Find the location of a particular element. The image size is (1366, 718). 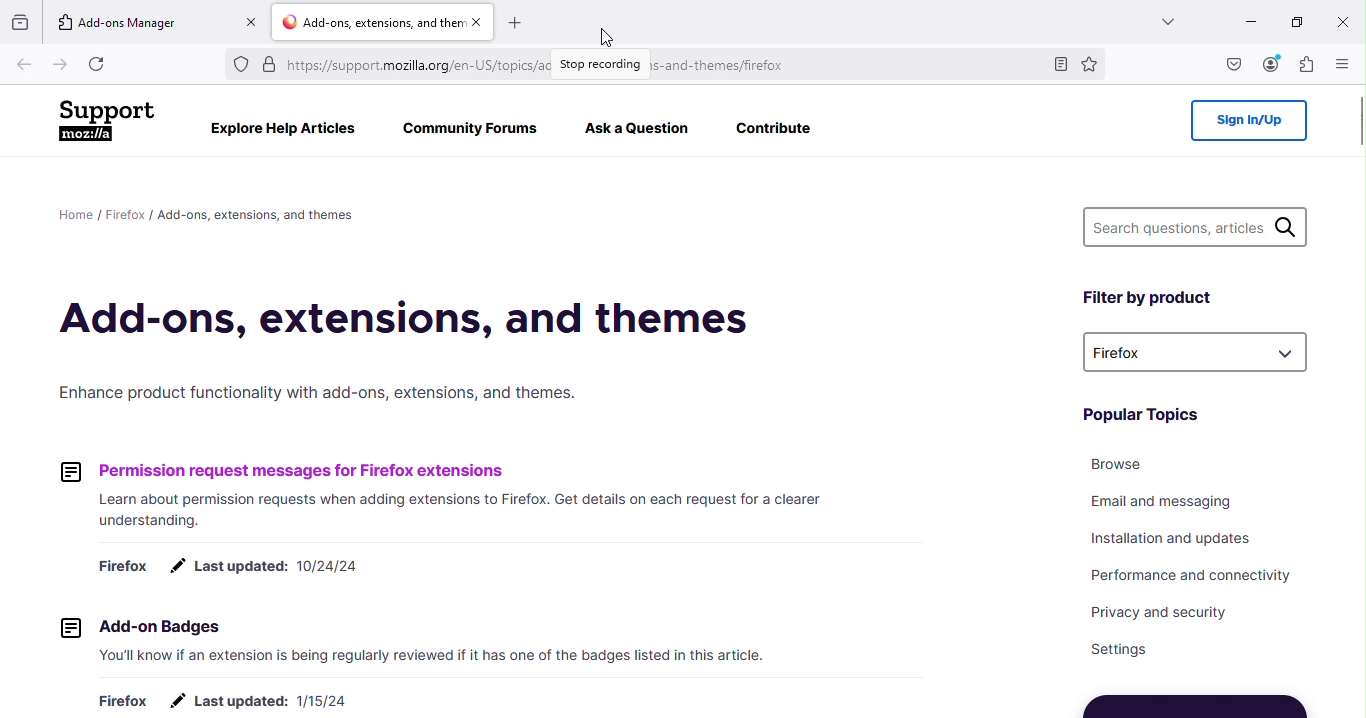

Address bar is located at coordinates (660, 64).